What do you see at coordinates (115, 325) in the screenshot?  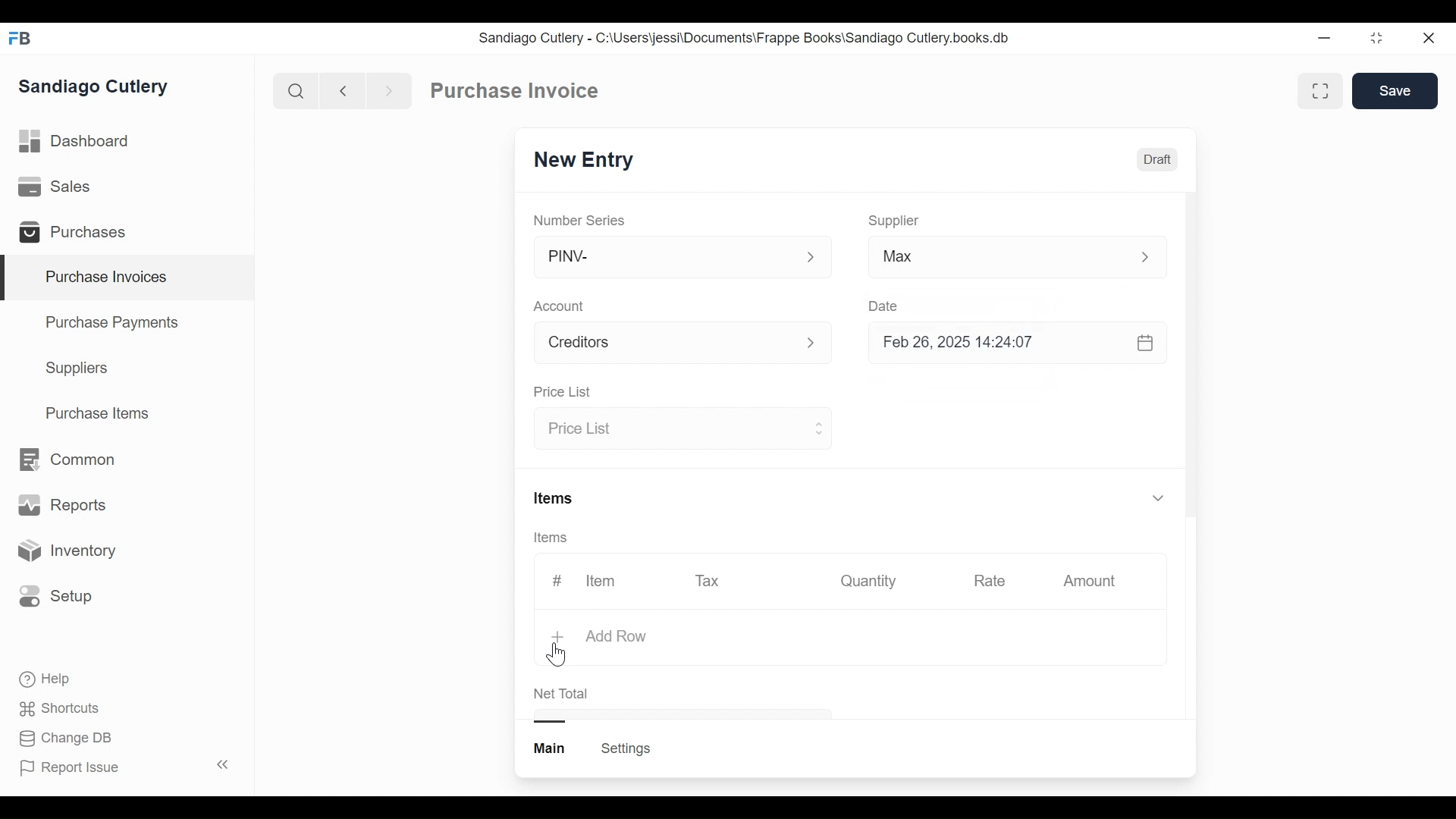 I see `Purchase Payments` at bounding box center [115, 325].